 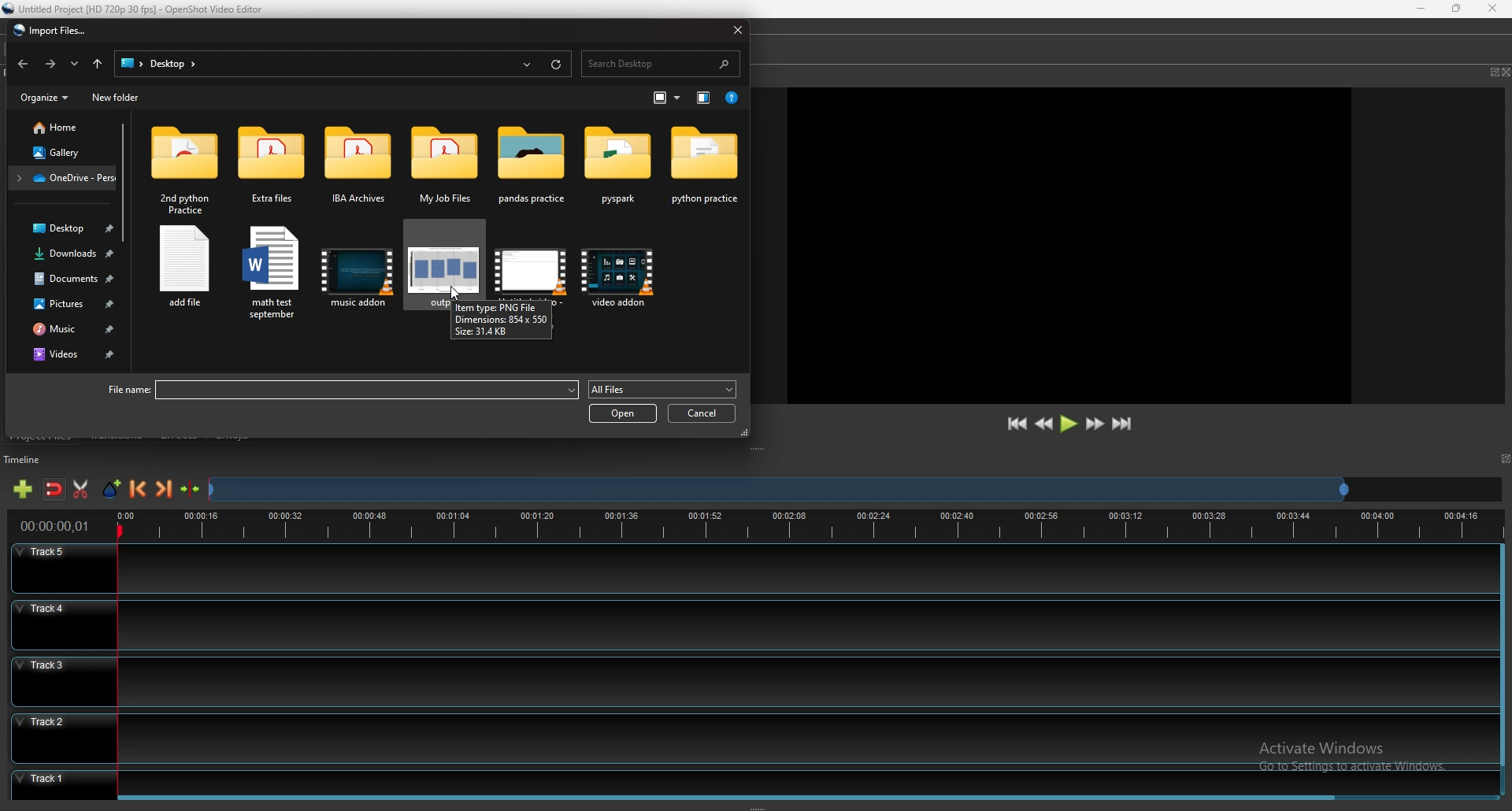 I want to click on upto desktop, so click(x=98, y=65).